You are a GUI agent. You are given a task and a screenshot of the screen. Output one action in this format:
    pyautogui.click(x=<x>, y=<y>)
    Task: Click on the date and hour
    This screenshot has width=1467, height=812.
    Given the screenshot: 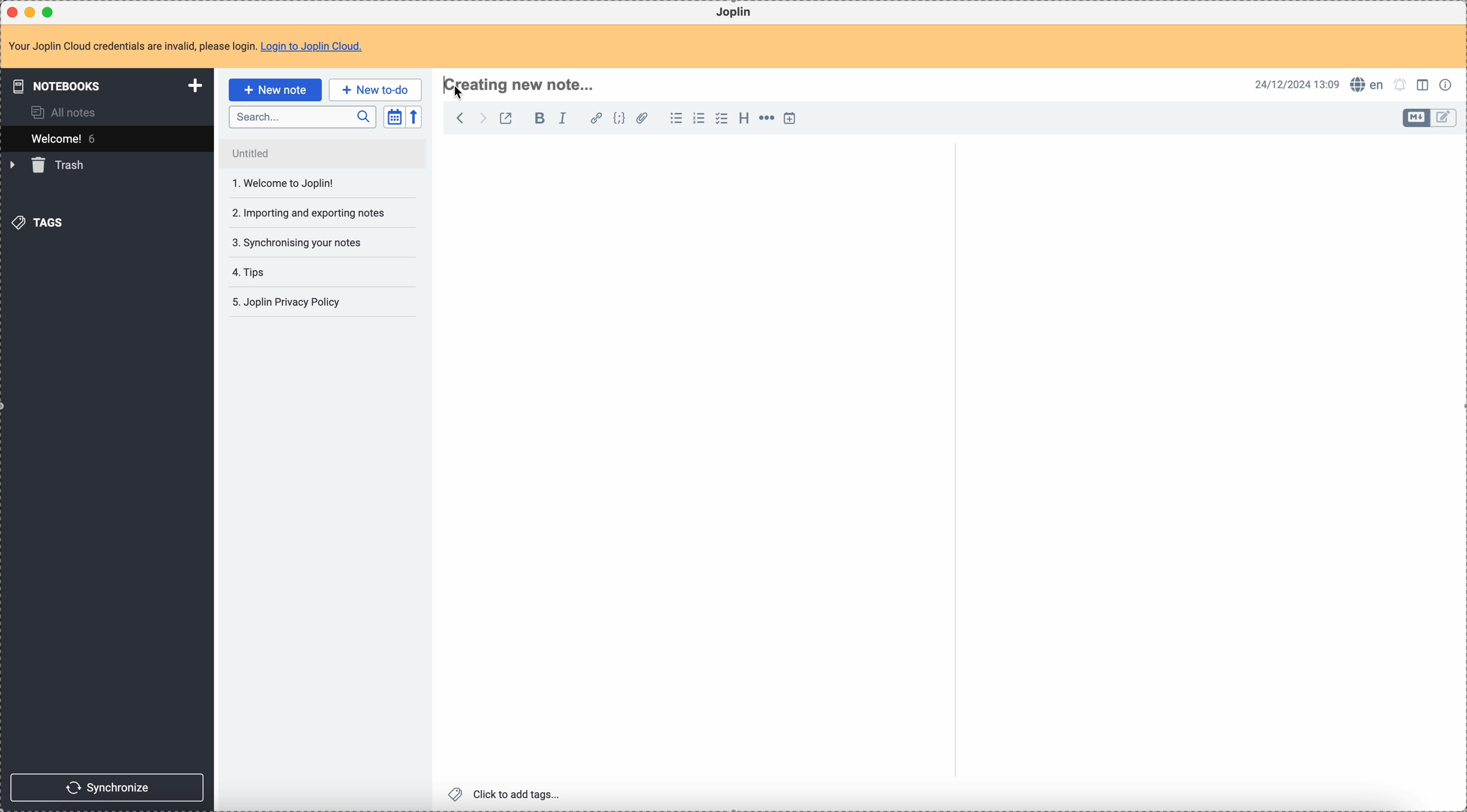 What is the action you would take?
    pyautogui.click(x=1297, y=84)
    